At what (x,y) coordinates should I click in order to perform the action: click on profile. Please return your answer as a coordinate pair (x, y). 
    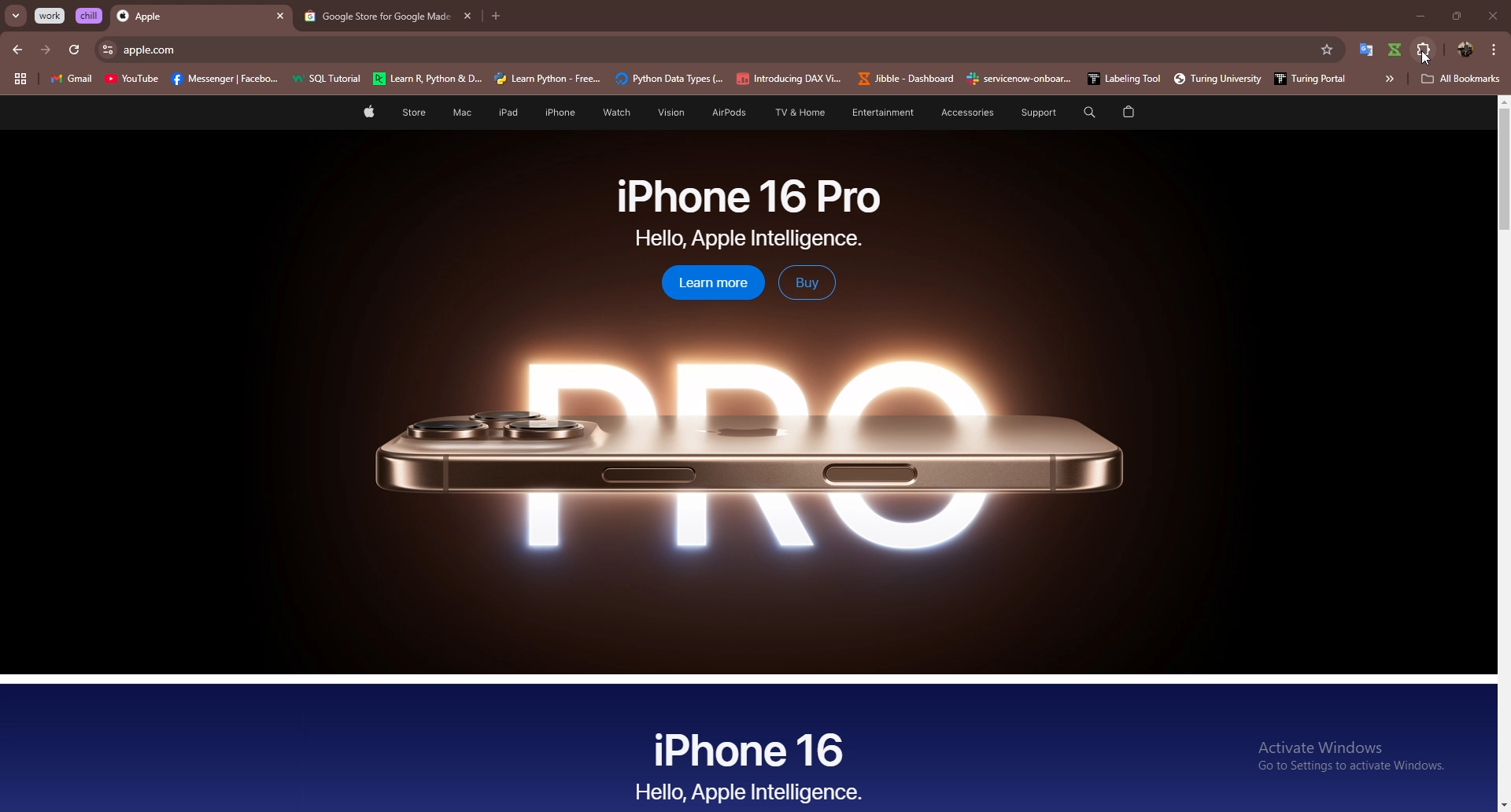
    Looking at the image, I should click on (1464, 50).